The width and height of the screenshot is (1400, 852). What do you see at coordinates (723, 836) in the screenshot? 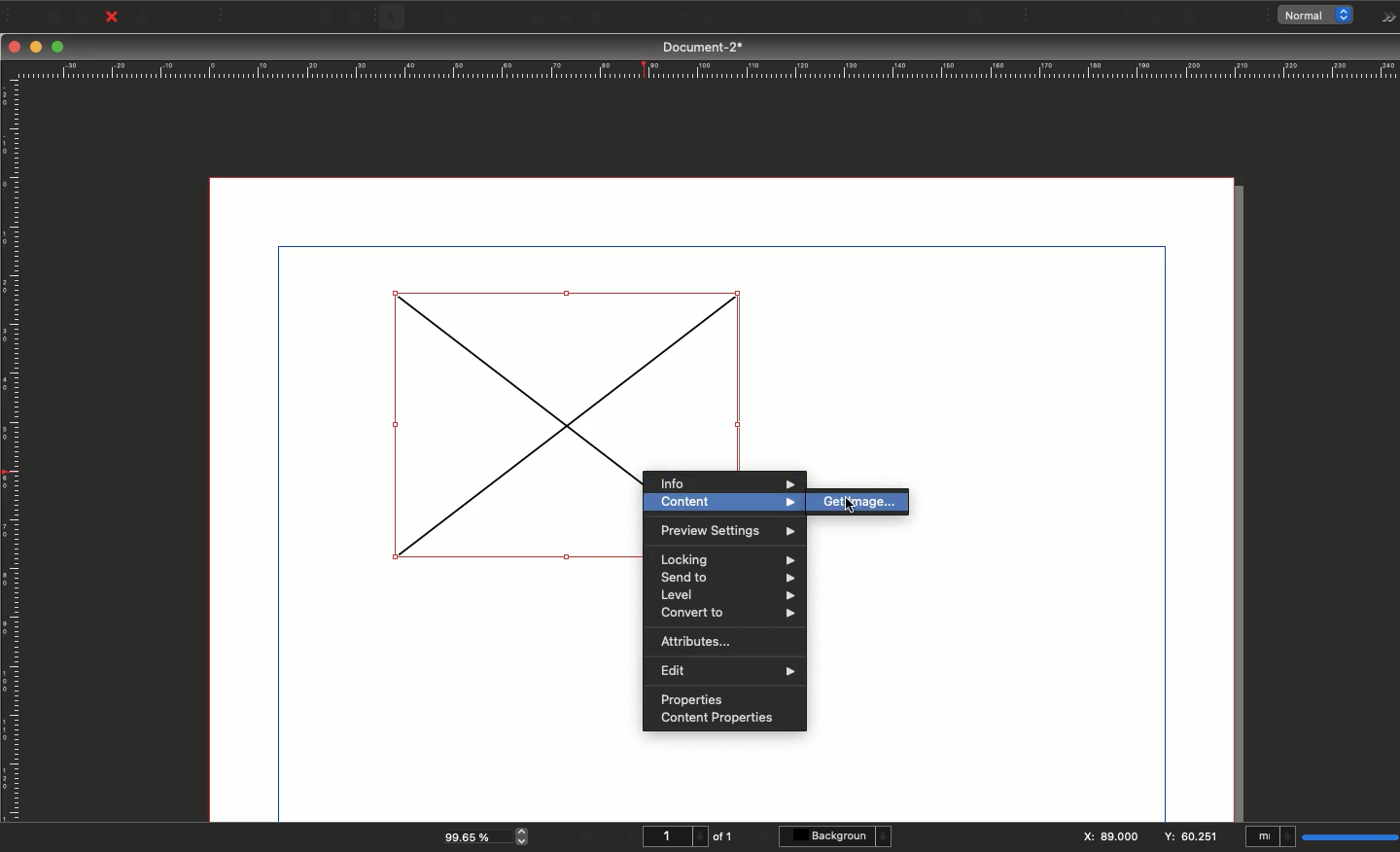
I see `of 1` at bounding box center [723, 836].